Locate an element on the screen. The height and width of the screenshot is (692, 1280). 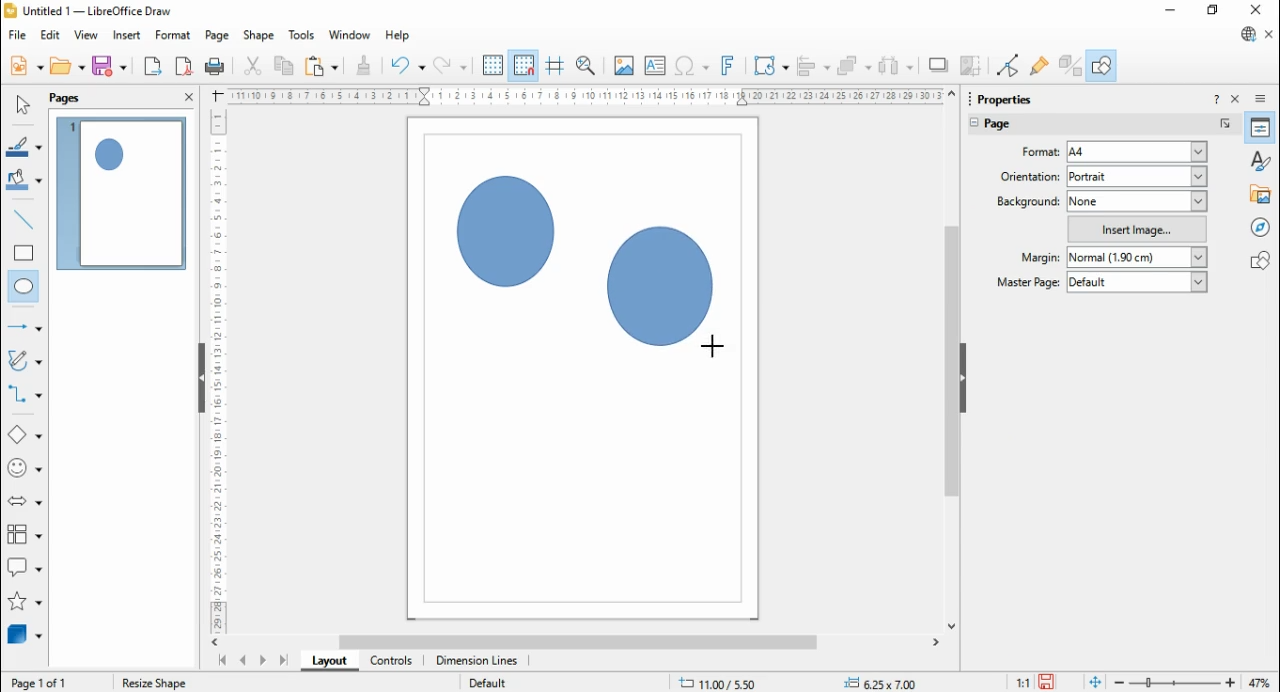
default is located at coordinates (1137, 281).